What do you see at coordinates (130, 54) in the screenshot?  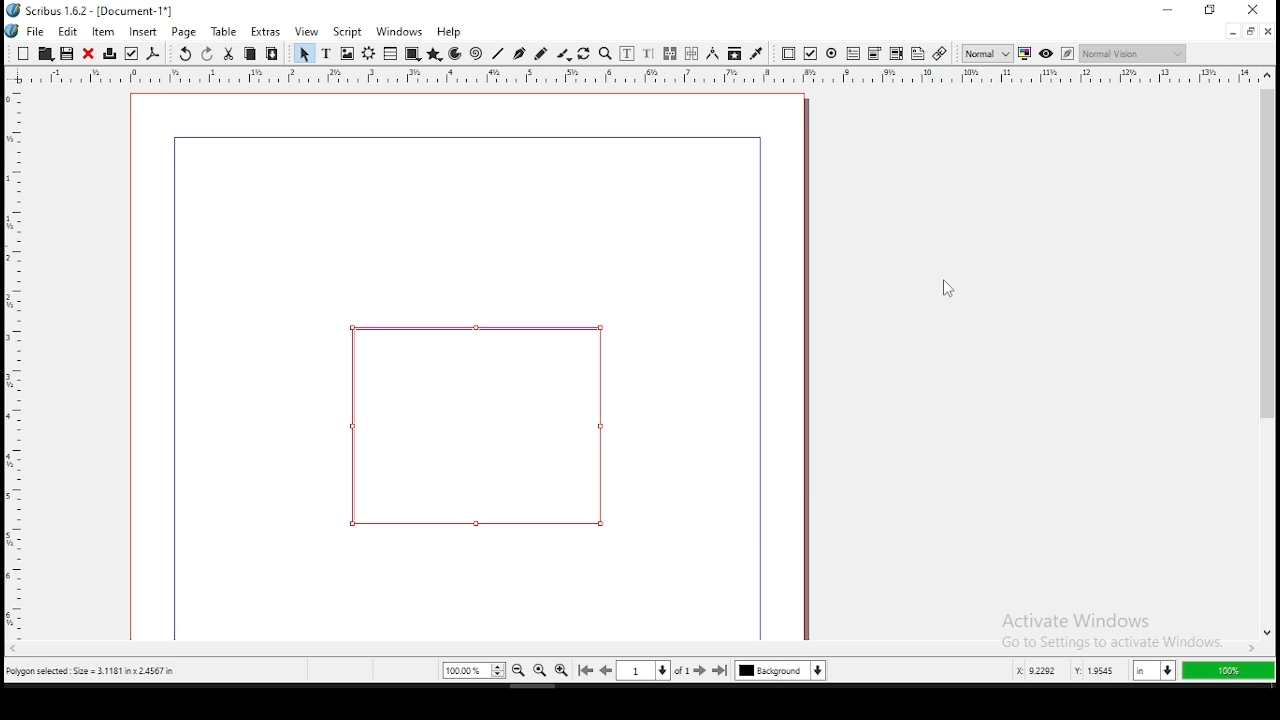 I see `preflight verifier` at bounding box center [130, 54].